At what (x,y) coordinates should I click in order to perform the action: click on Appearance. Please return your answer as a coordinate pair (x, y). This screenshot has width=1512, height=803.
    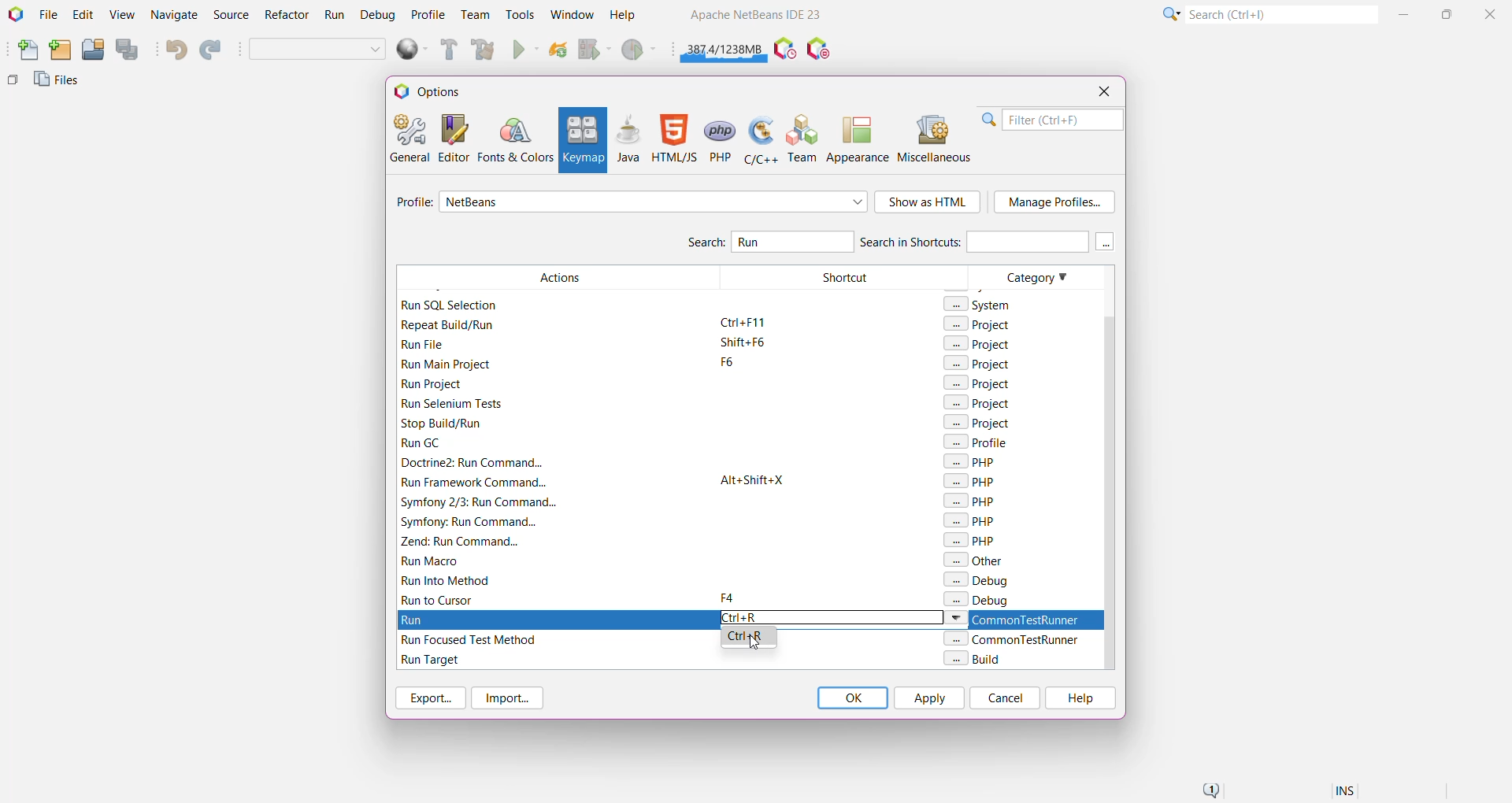
    Looking at the image, I should click on (858, 139).